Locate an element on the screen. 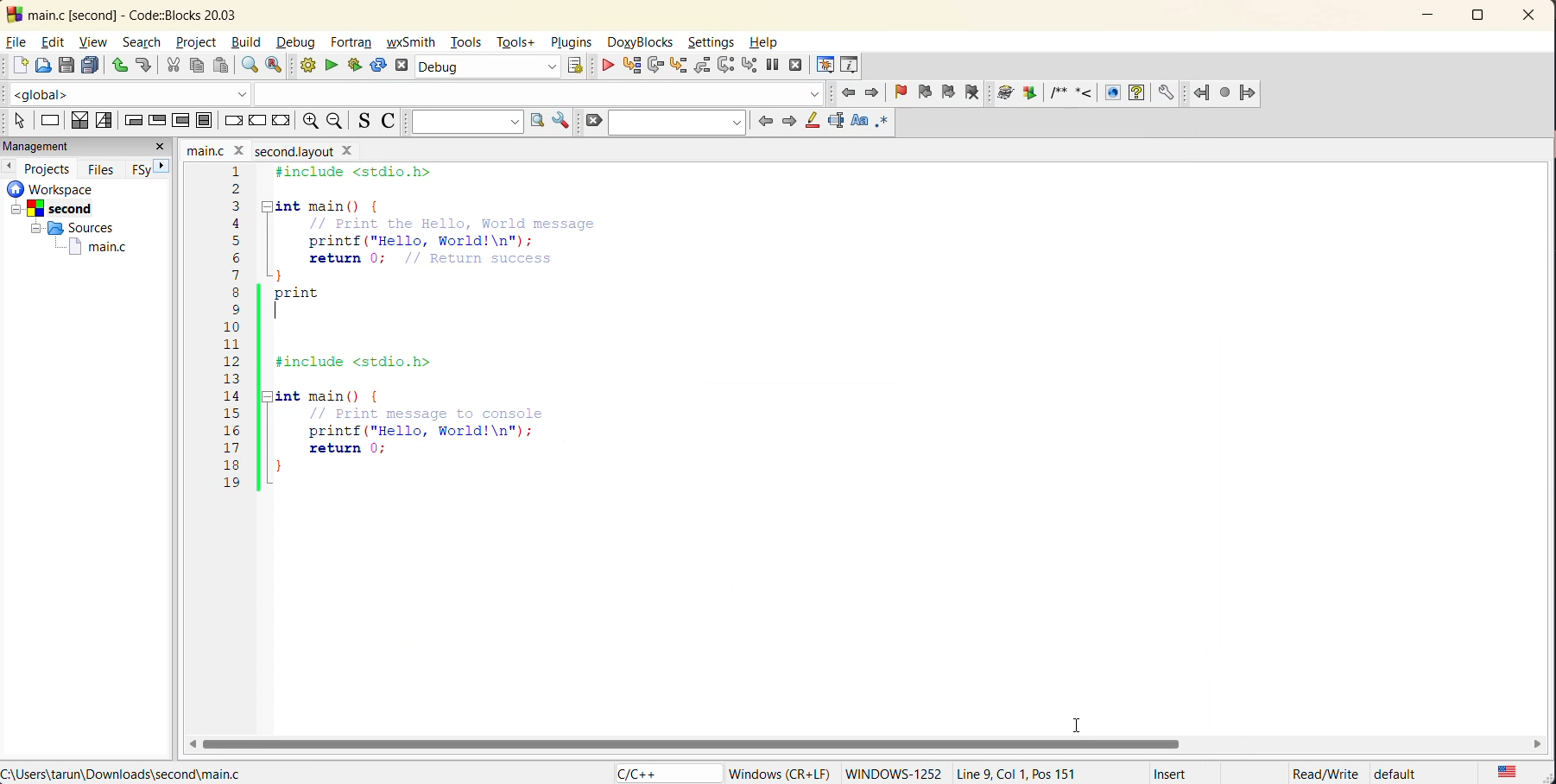 This screenshot has width=1556, height=784. instruction is located at coordinates (51, 120).